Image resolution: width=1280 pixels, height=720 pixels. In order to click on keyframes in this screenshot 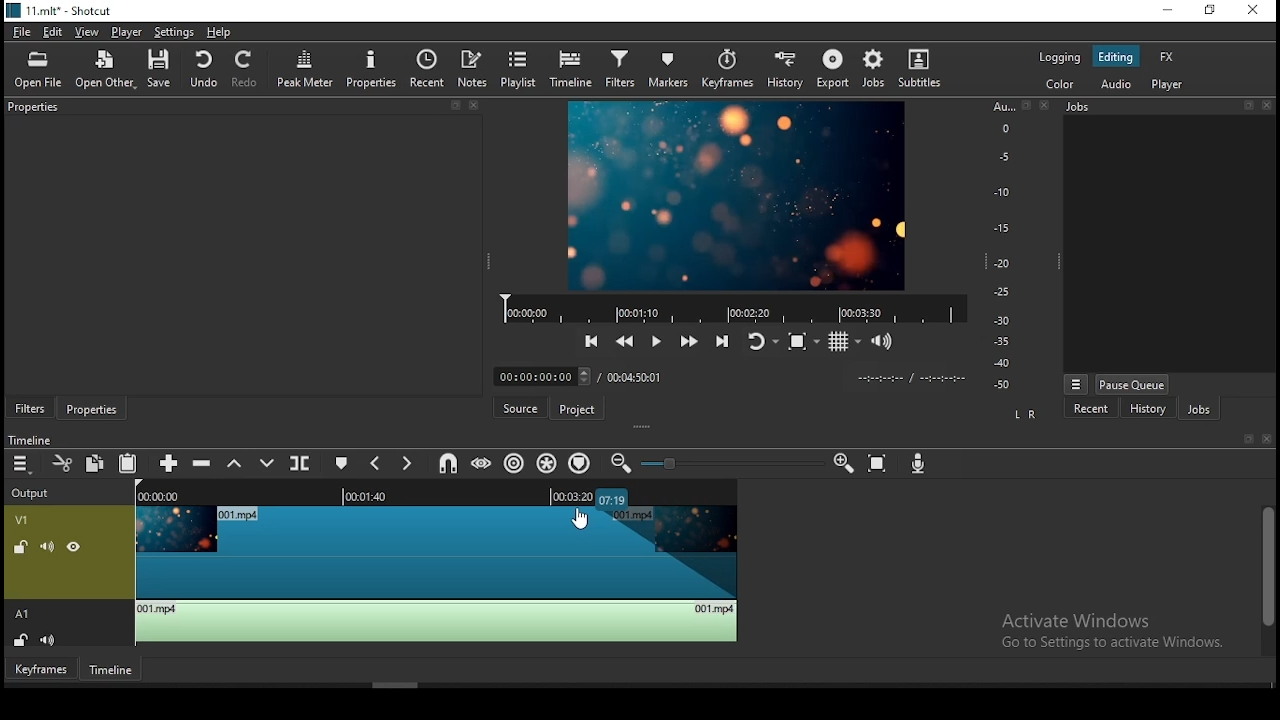, I will do `click(727, 65)`.